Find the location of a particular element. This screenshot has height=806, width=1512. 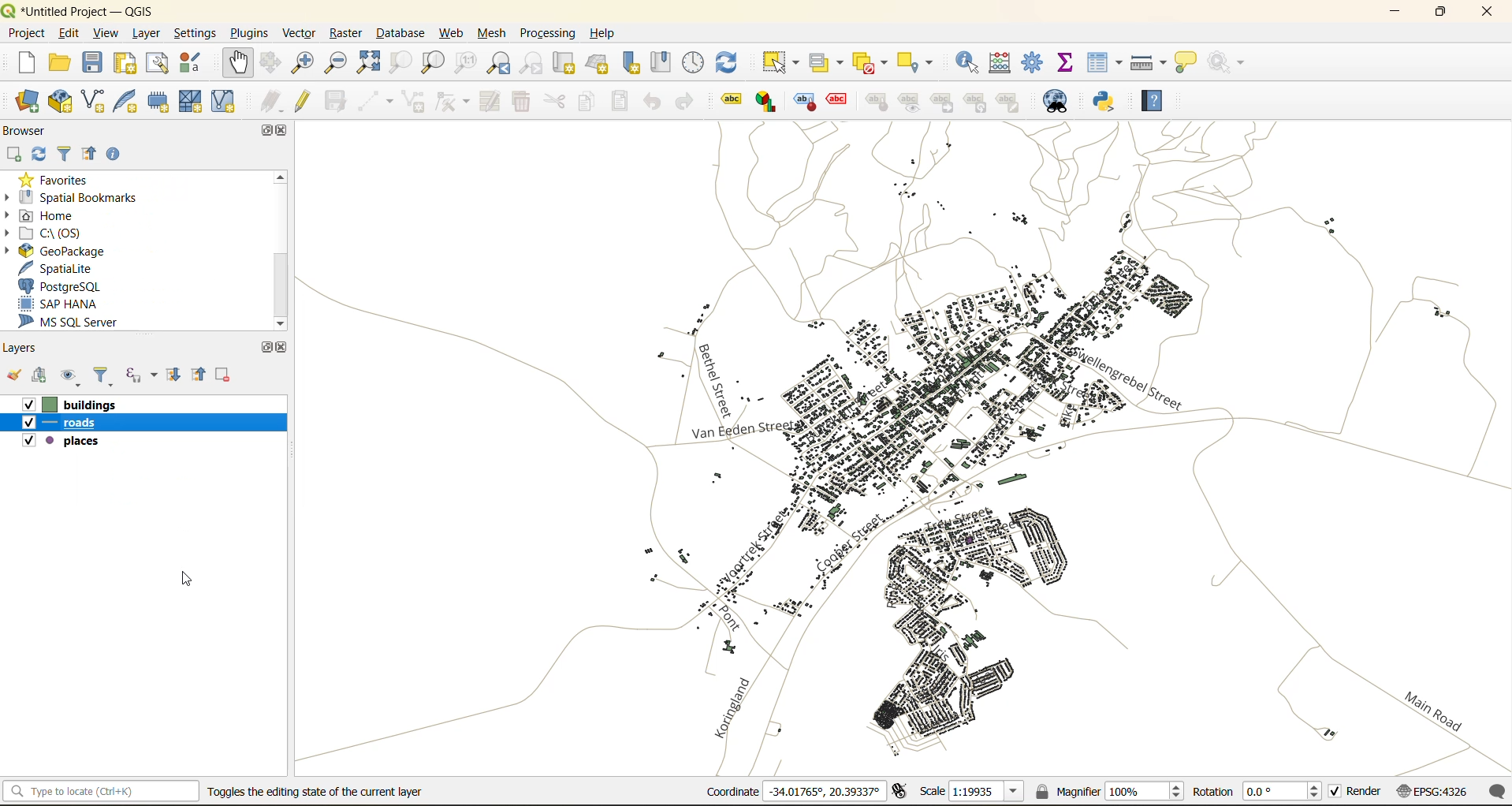

help is located at coordinates (603, 35).